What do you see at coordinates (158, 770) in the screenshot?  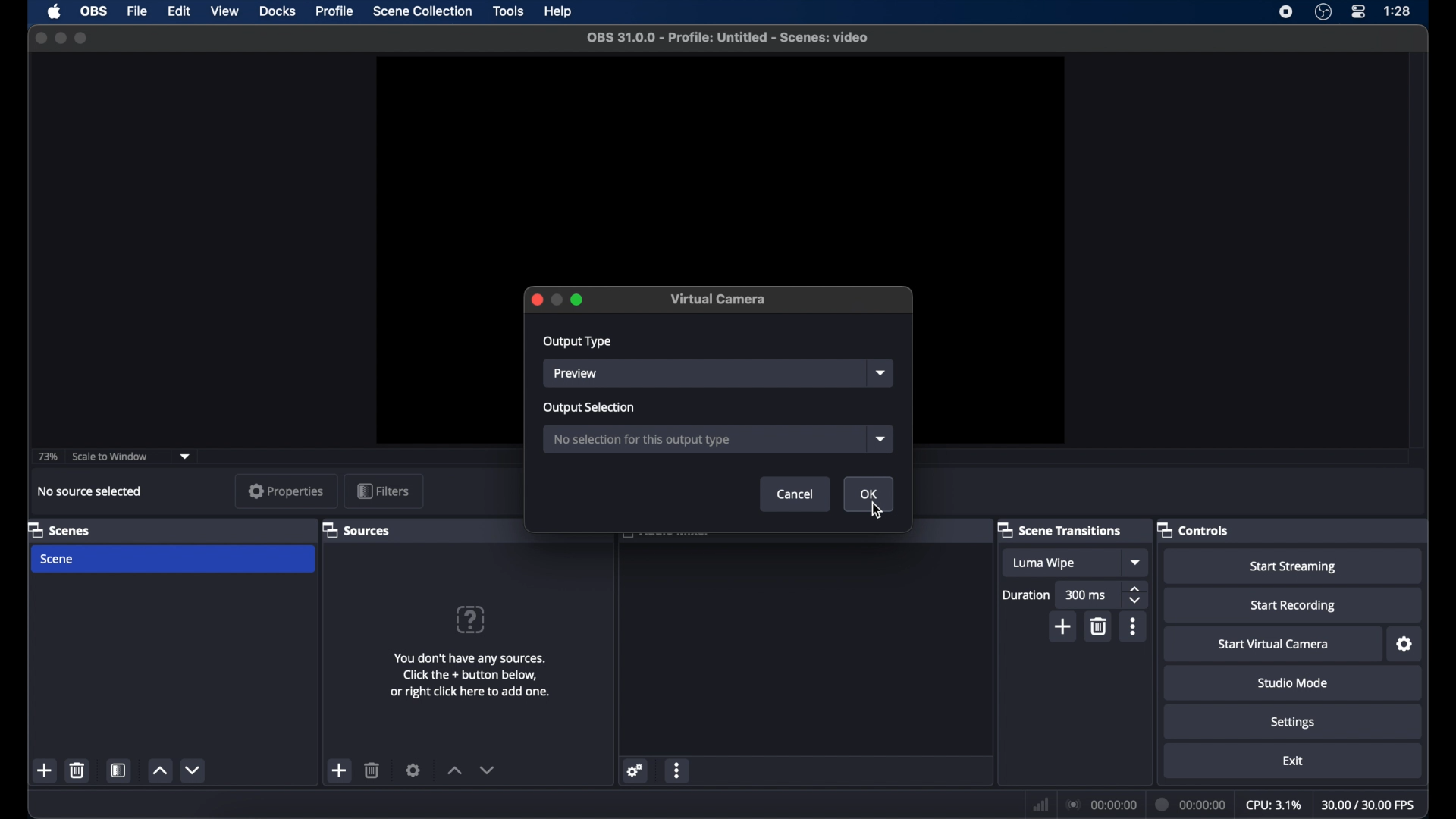 I see `increment` at bounding box center [158, 770].